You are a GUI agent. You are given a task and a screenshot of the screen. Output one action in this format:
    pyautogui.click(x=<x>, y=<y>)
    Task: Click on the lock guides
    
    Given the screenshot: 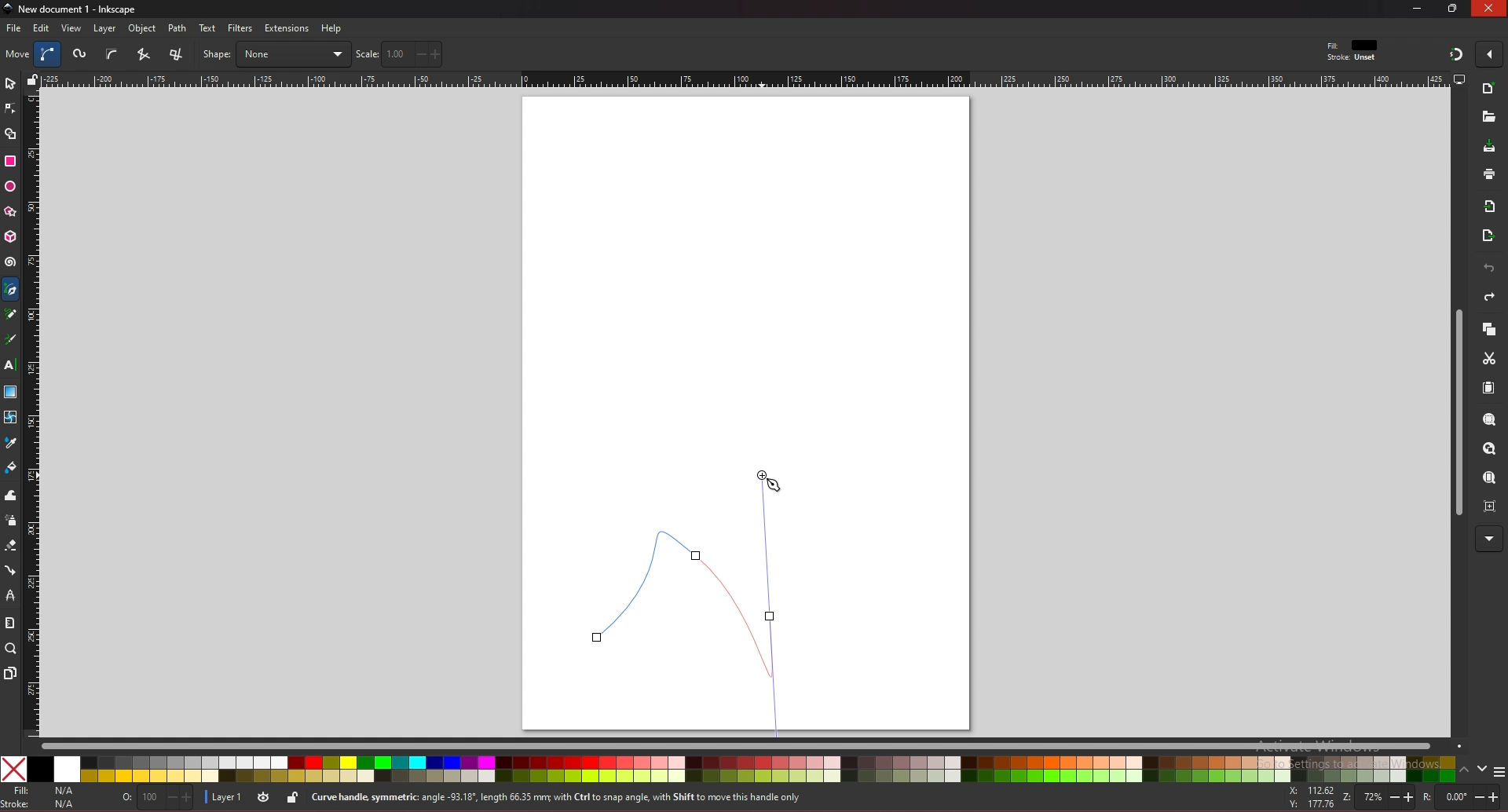 What is the action you would take?
    pyautogui.click(x=32, y=79)
    